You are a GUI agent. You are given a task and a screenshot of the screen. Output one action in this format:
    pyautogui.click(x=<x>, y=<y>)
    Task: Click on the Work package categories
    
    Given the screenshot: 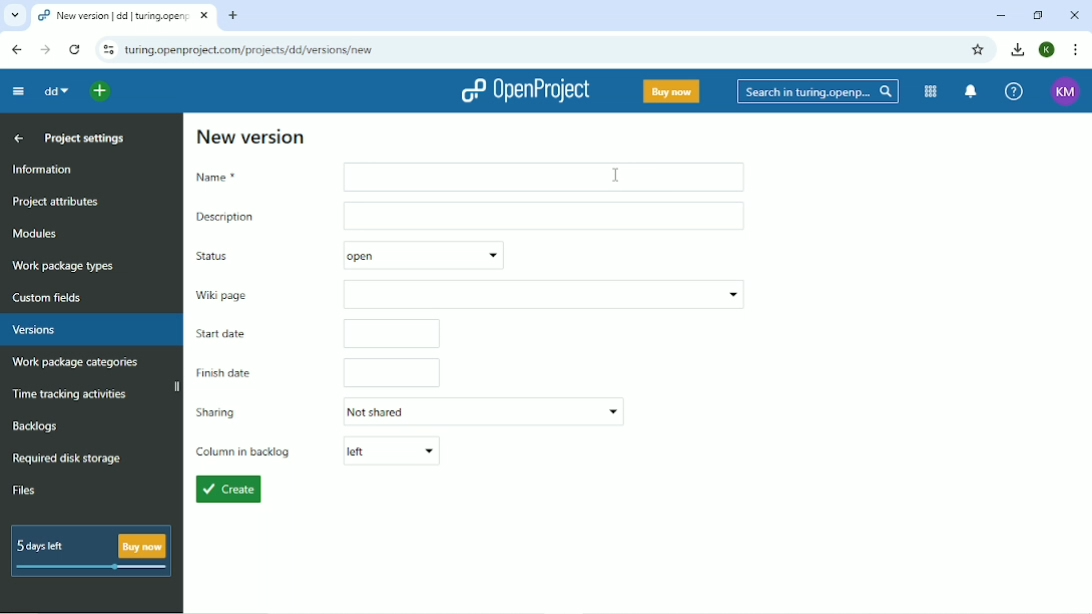 What is the action you would take?
    pyautogui.click(x=74, y=363)
    